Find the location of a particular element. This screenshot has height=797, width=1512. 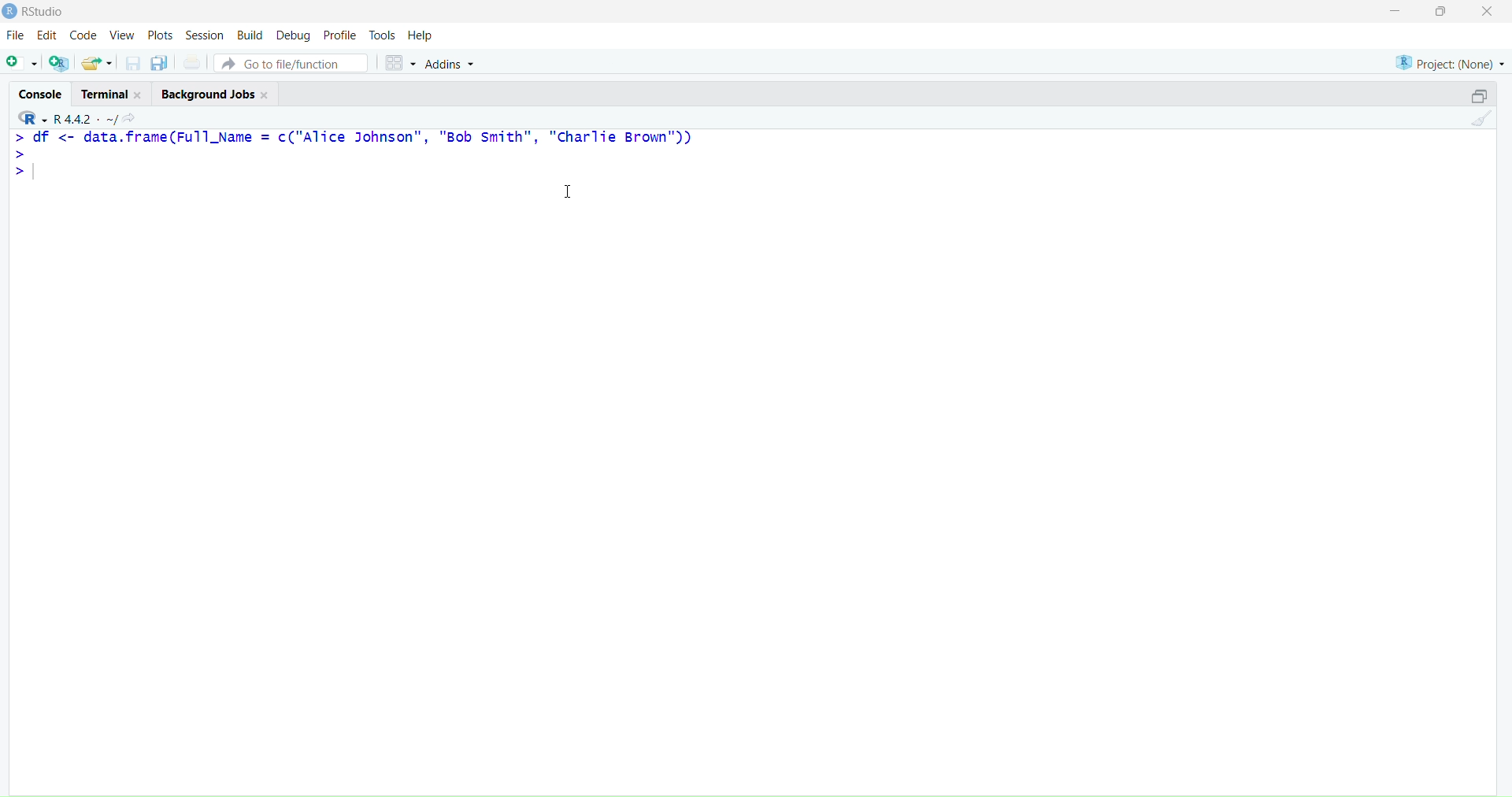

Workspace panes is located at coordinates (400, 63).